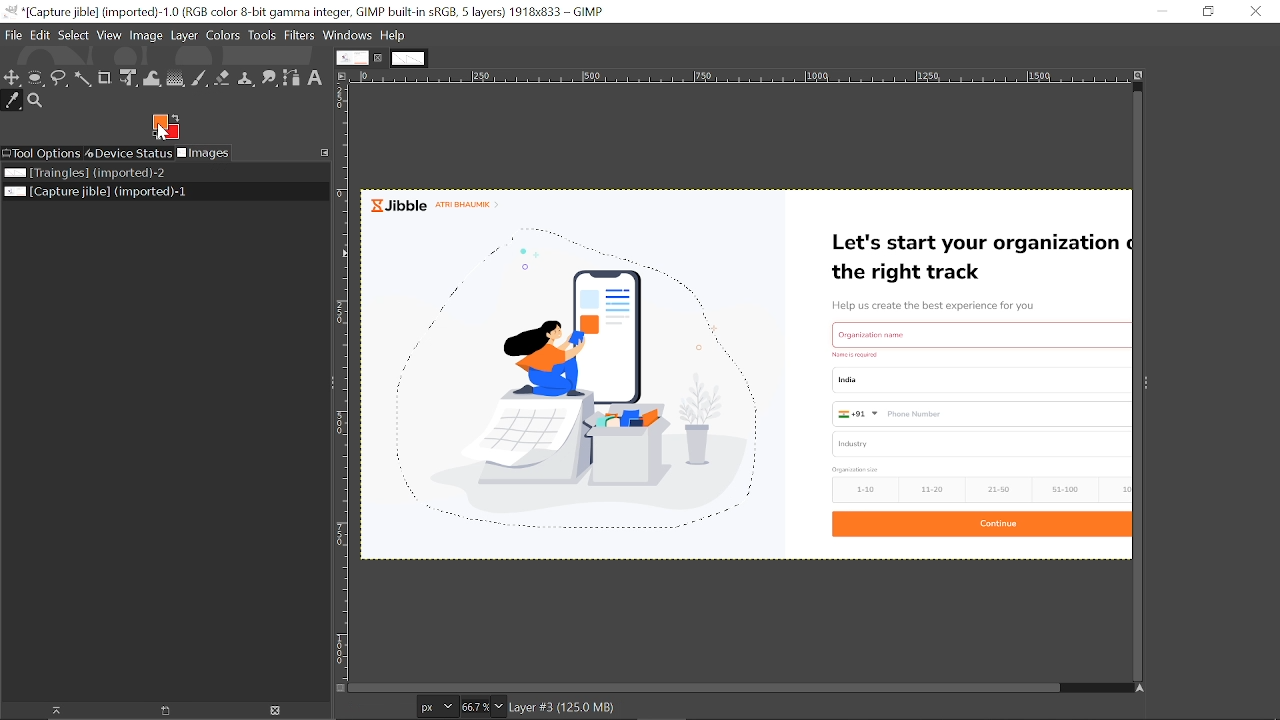 This screenshot has width=1280, height=720. Describe the element at coordinates (299, 36) in the screenshot. I see `Filters` at that location.